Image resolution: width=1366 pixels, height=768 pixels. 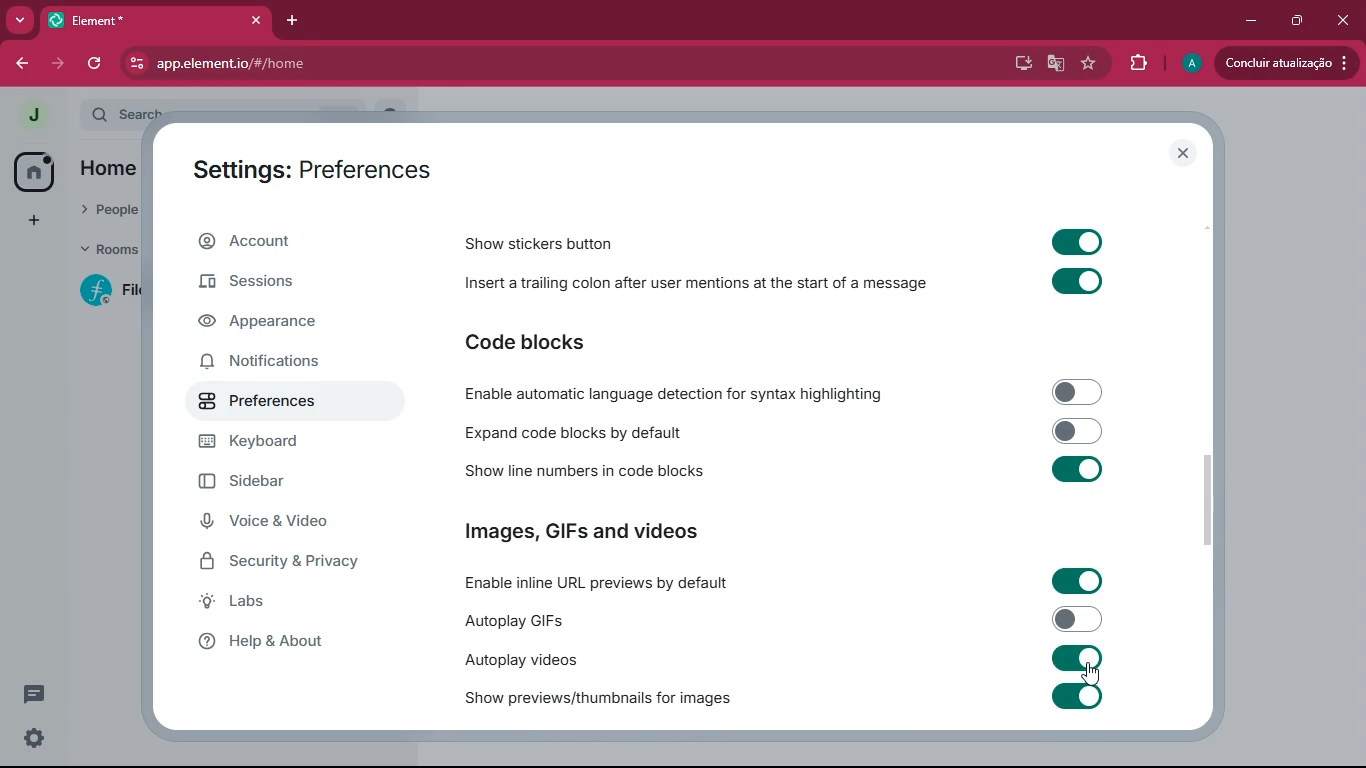 I want to click on add tab, so click(x=299, y=19).